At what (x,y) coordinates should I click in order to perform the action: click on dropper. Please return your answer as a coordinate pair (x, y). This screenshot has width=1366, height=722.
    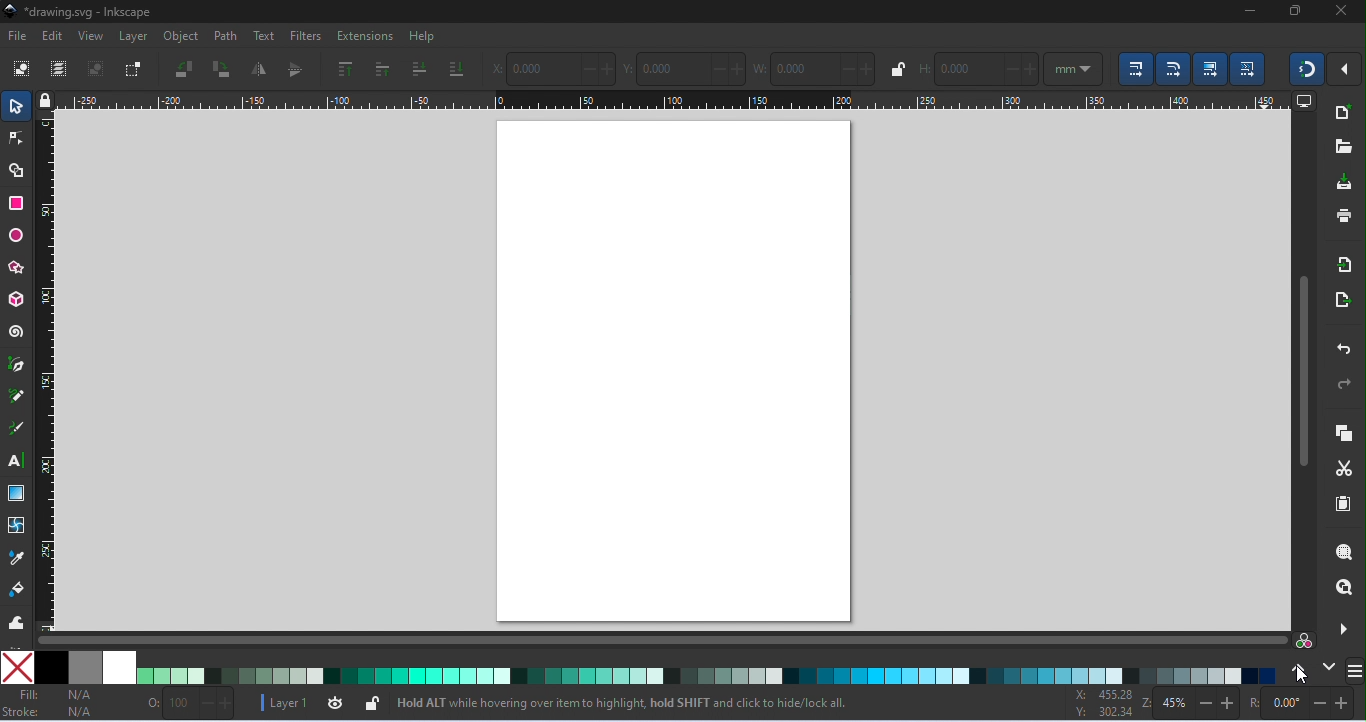
    Looking at the image, I should click on (17, 558).